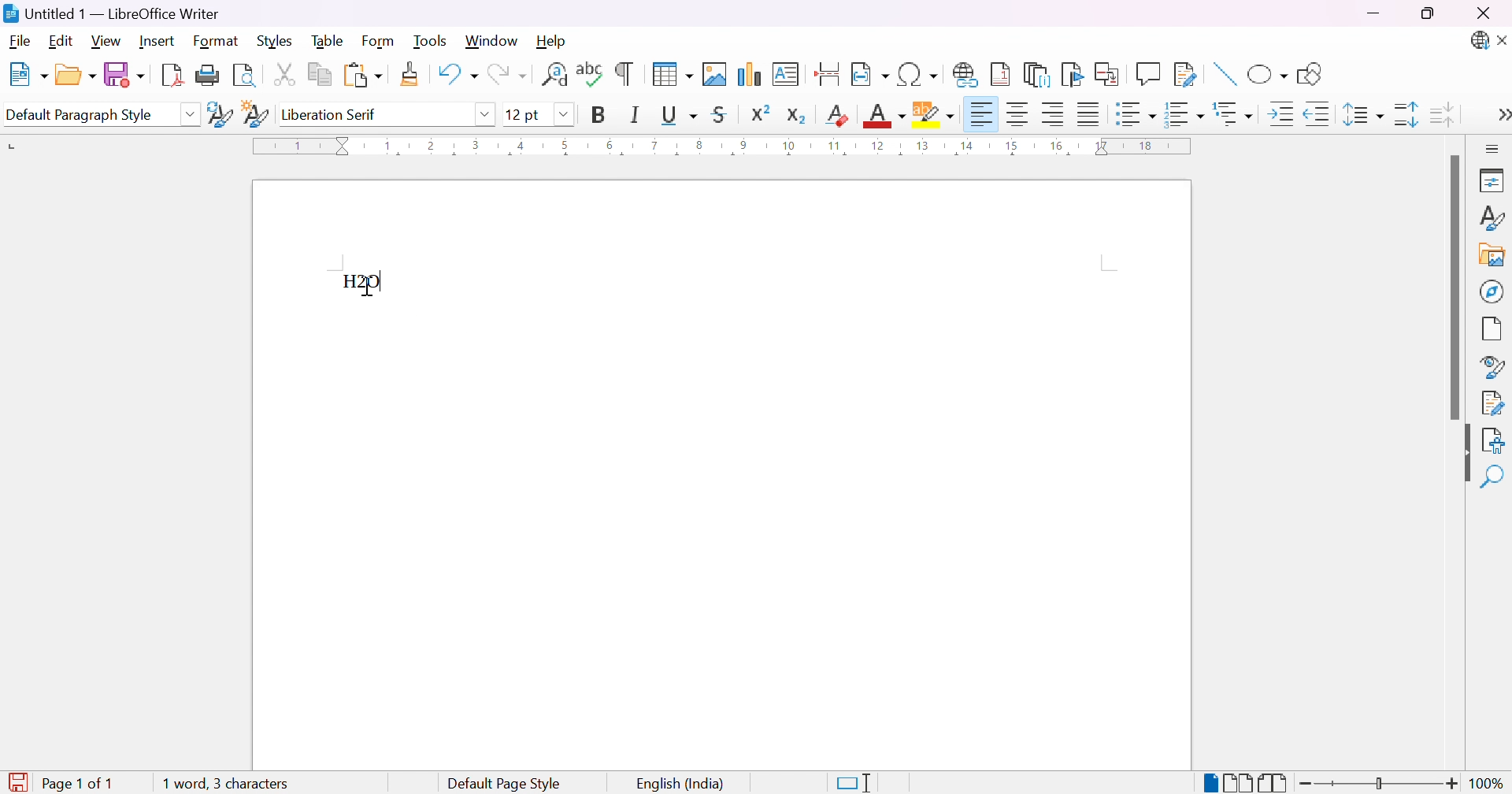 This screenshot has width=1512, height=794. I want to click on Format, so click(217, 42).